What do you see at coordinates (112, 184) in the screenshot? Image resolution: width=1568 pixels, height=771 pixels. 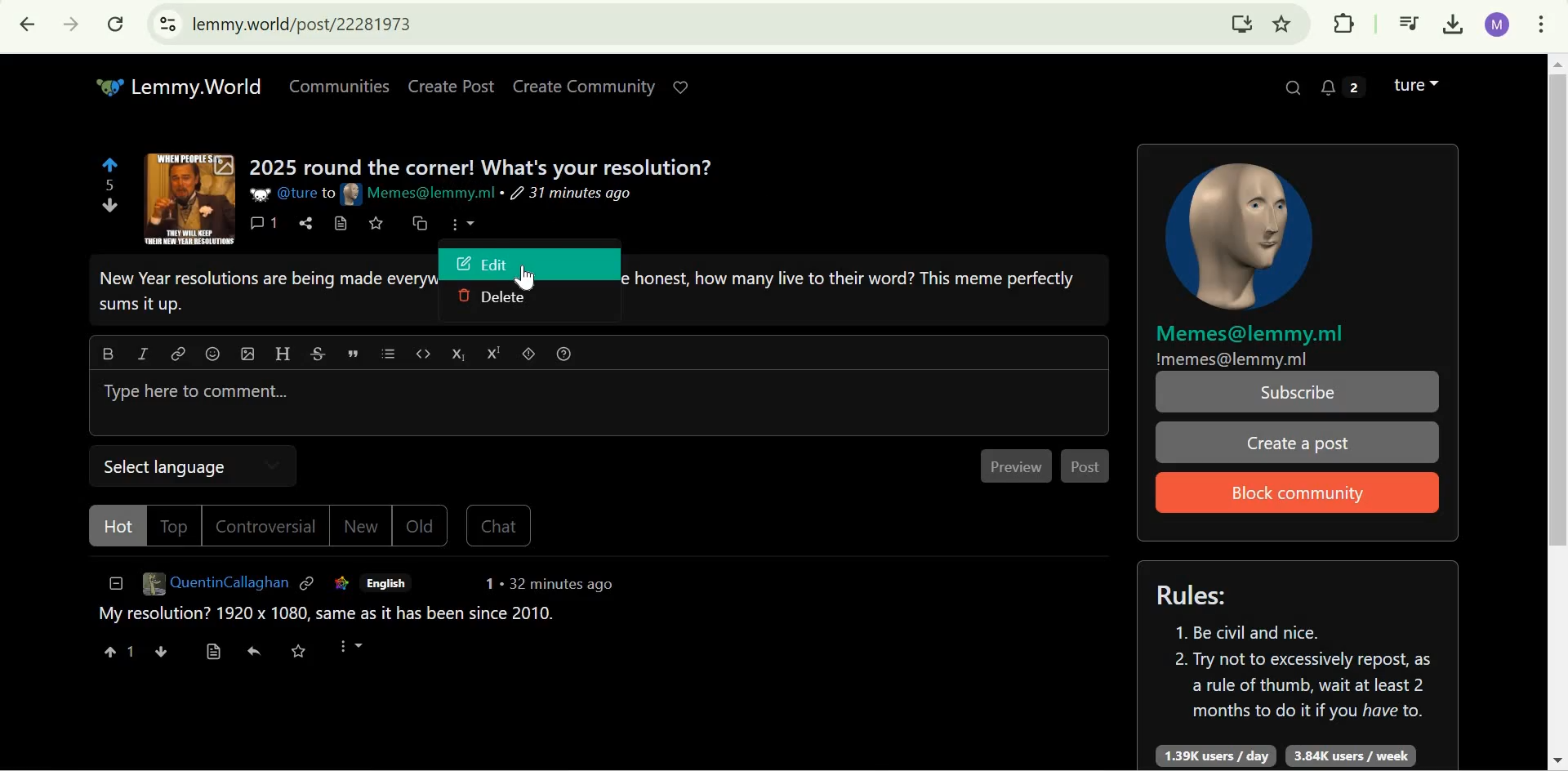 I see `5 points` at bounding box center [112, 184].